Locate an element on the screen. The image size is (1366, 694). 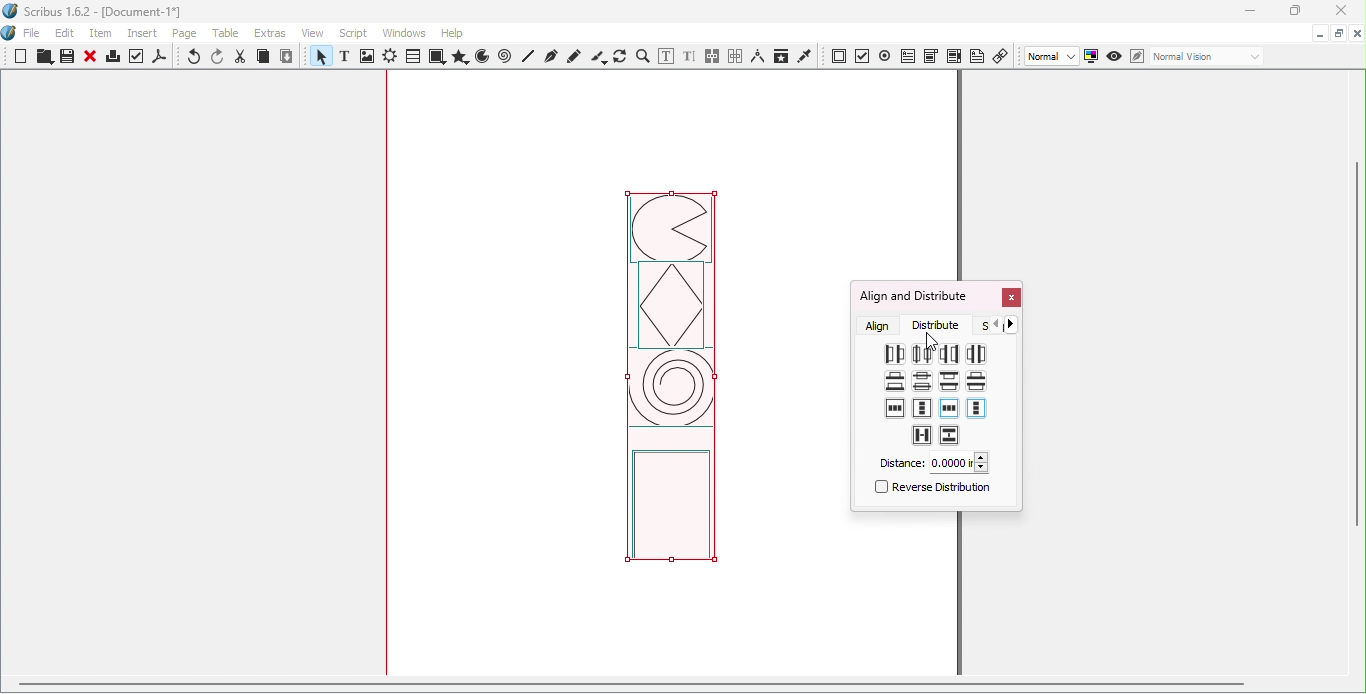
Polygon is located at coordinates (458, 57).